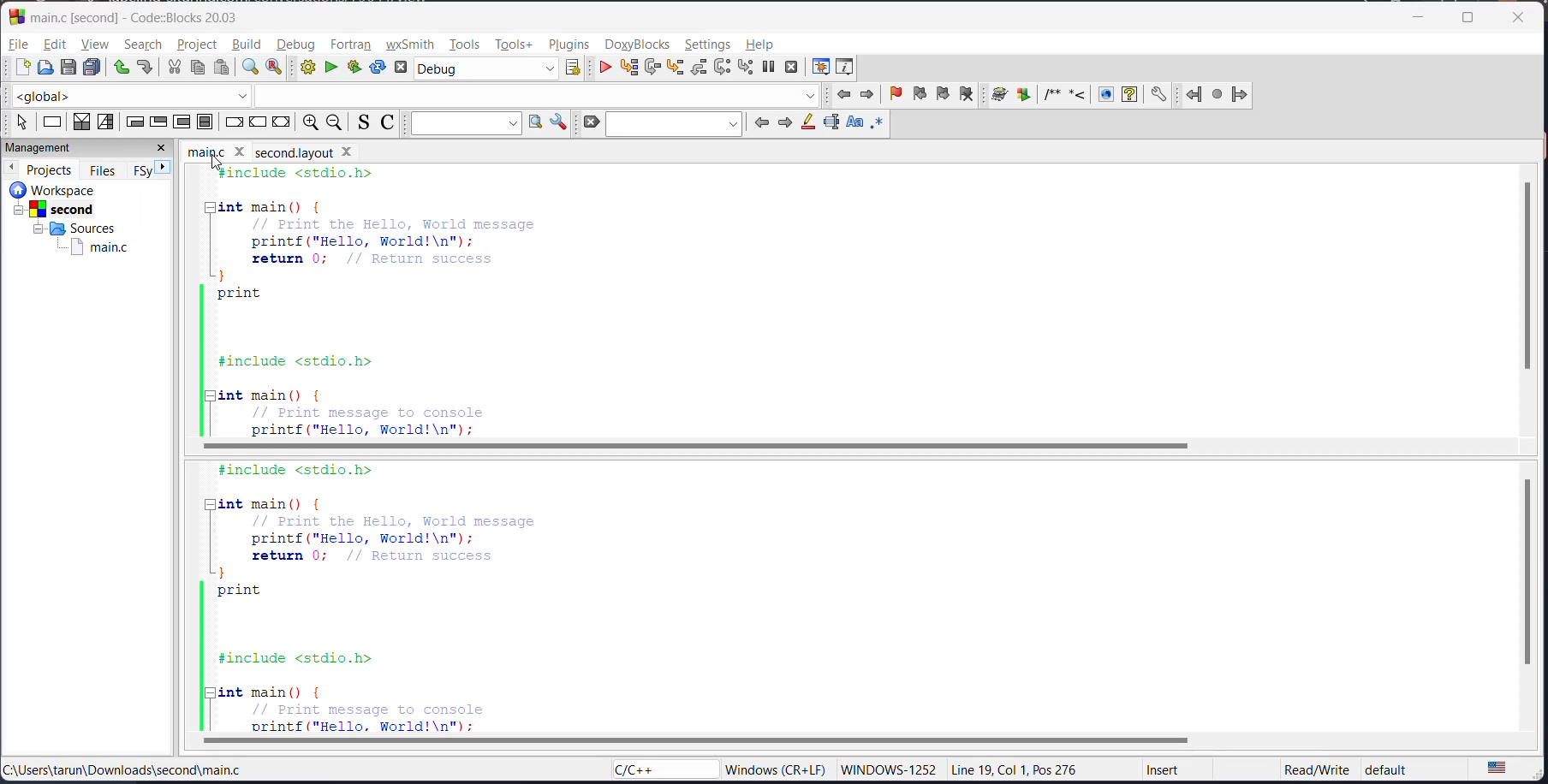 This screenshot has width=1548, height=784. Describe the element at coordinates (104, 122) in the screenshot. I see `selection` at that location.